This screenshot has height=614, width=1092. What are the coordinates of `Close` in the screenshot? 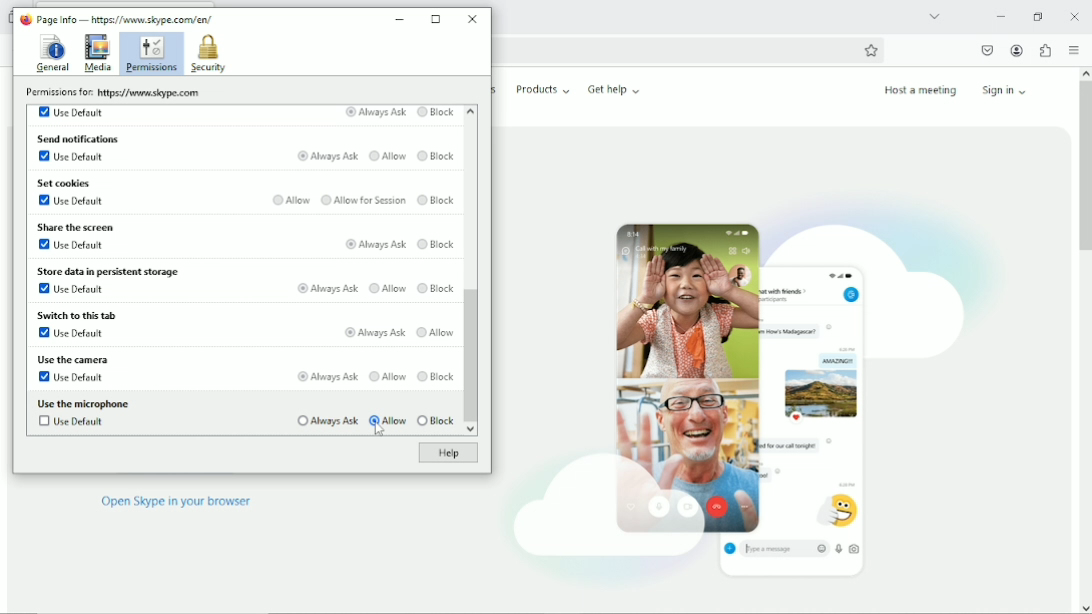 It's located at (472, 18).